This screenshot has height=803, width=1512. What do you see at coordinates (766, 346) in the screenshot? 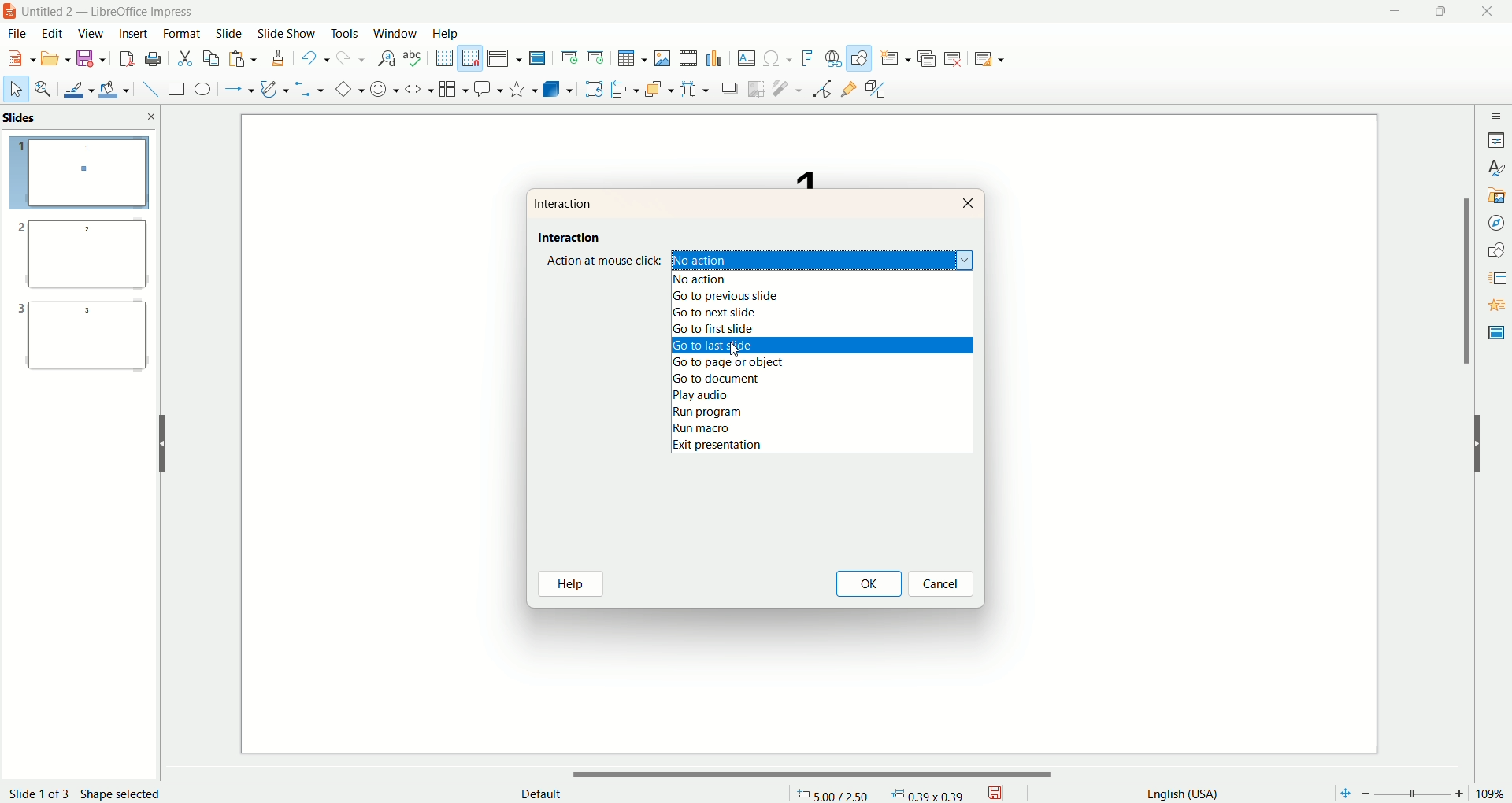
I see `go to last slide` at bounding box center [766, 346].